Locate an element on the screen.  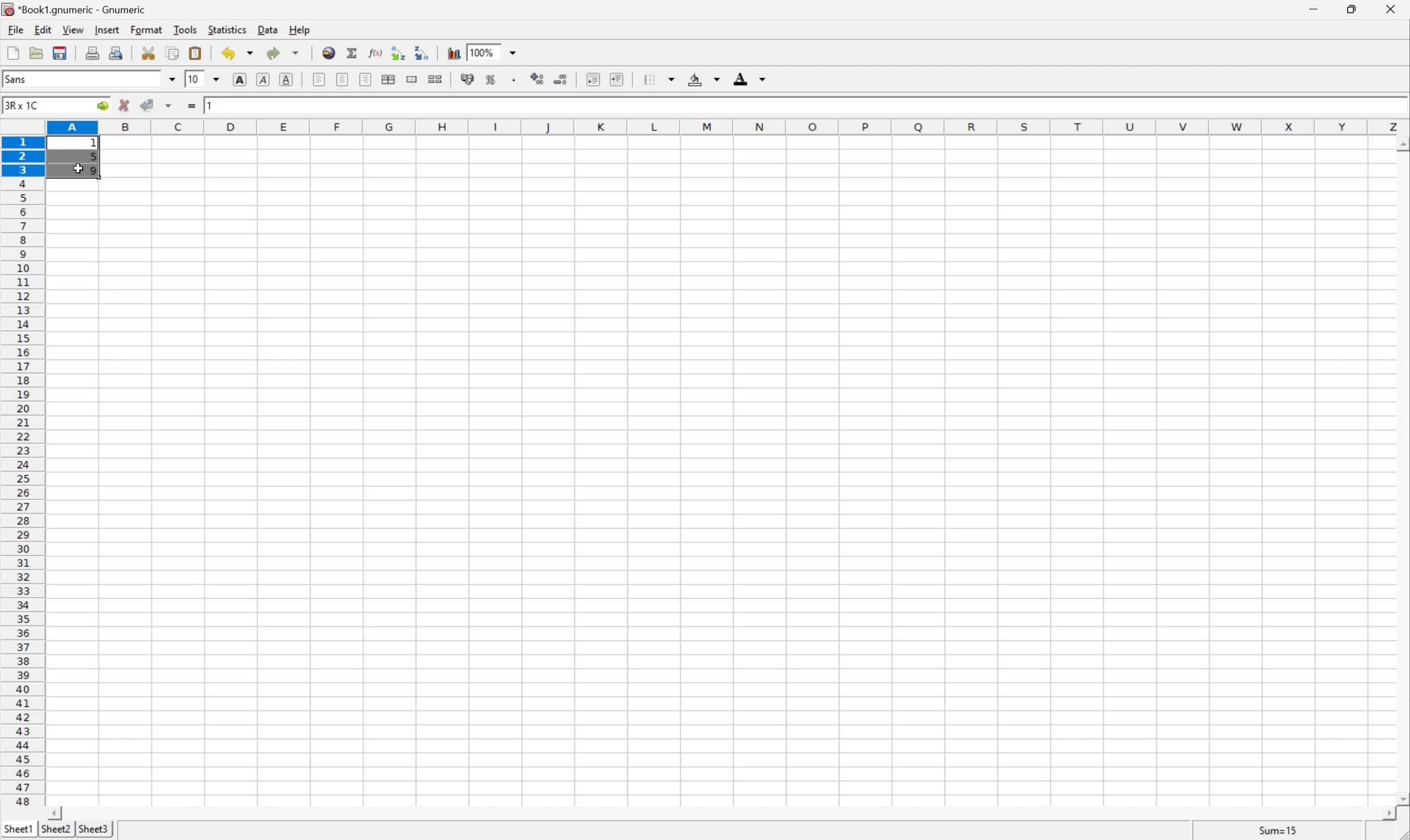
foreground is located at coordinates (748, 77).